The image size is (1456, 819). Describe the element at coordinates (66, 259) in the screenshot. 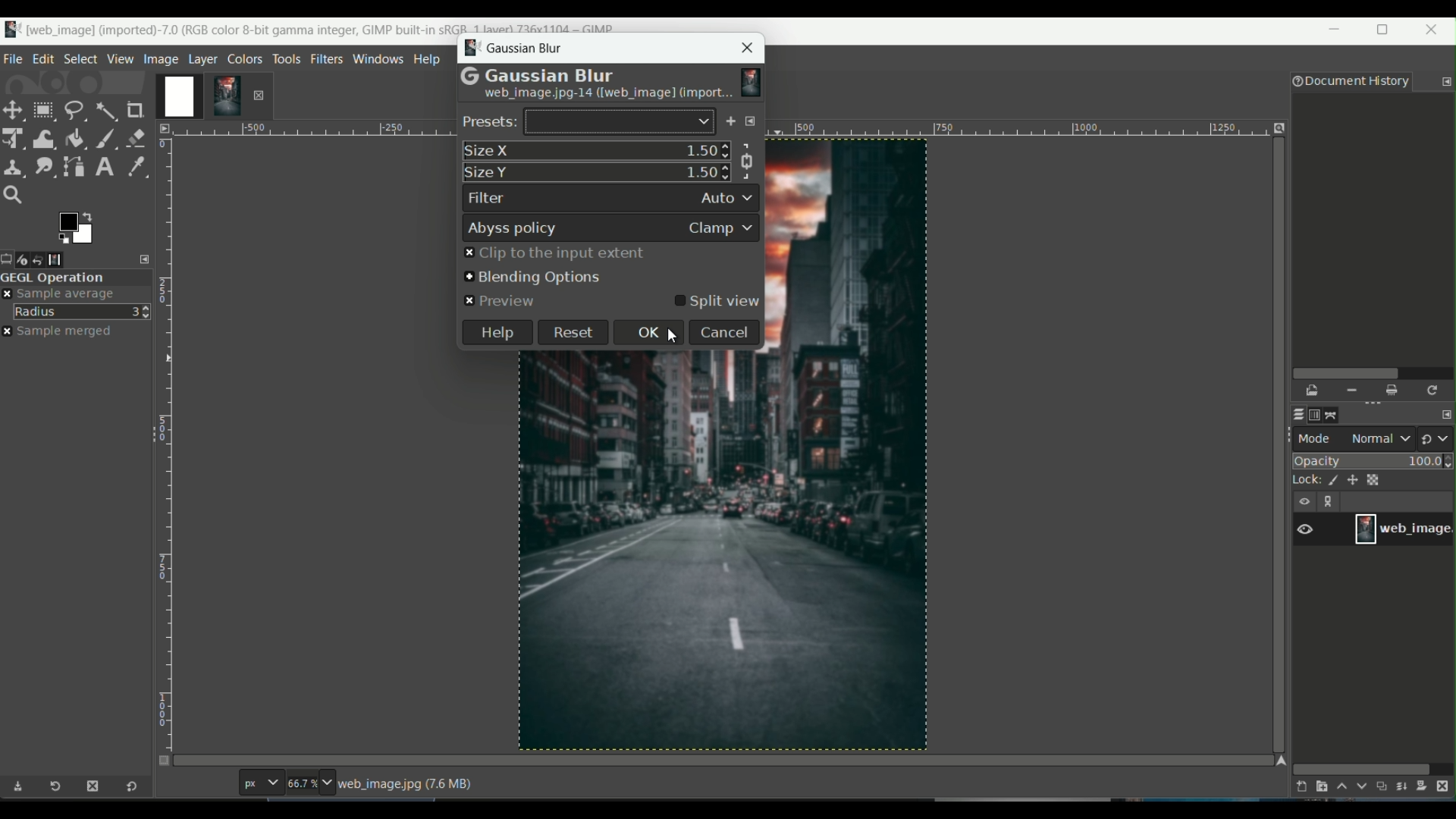

I see `images` at that location.